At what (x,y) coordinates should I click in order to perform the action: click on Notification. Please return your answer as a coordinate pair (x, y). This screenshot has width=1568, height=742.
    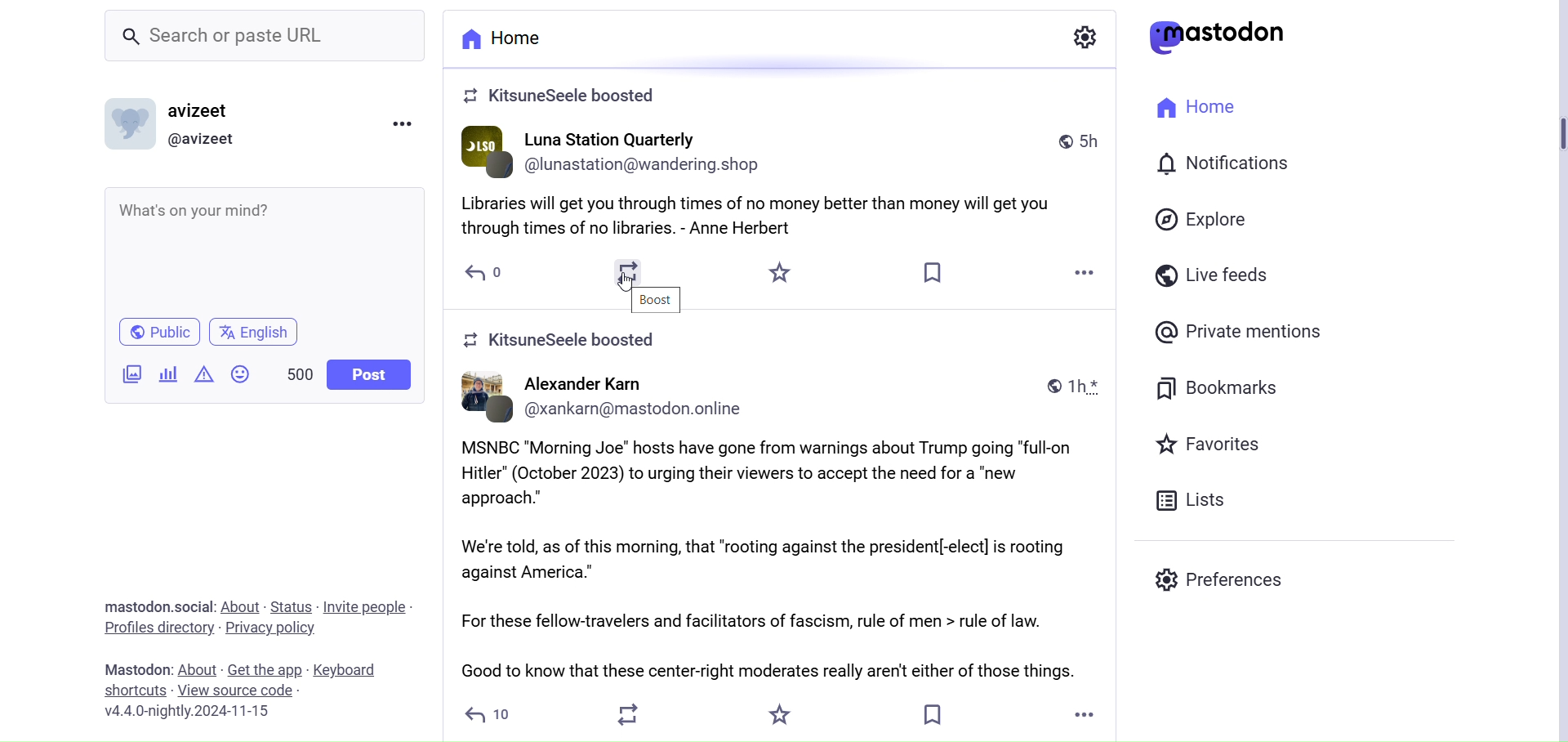
    Looking at the image, I should click on (1241, 163).